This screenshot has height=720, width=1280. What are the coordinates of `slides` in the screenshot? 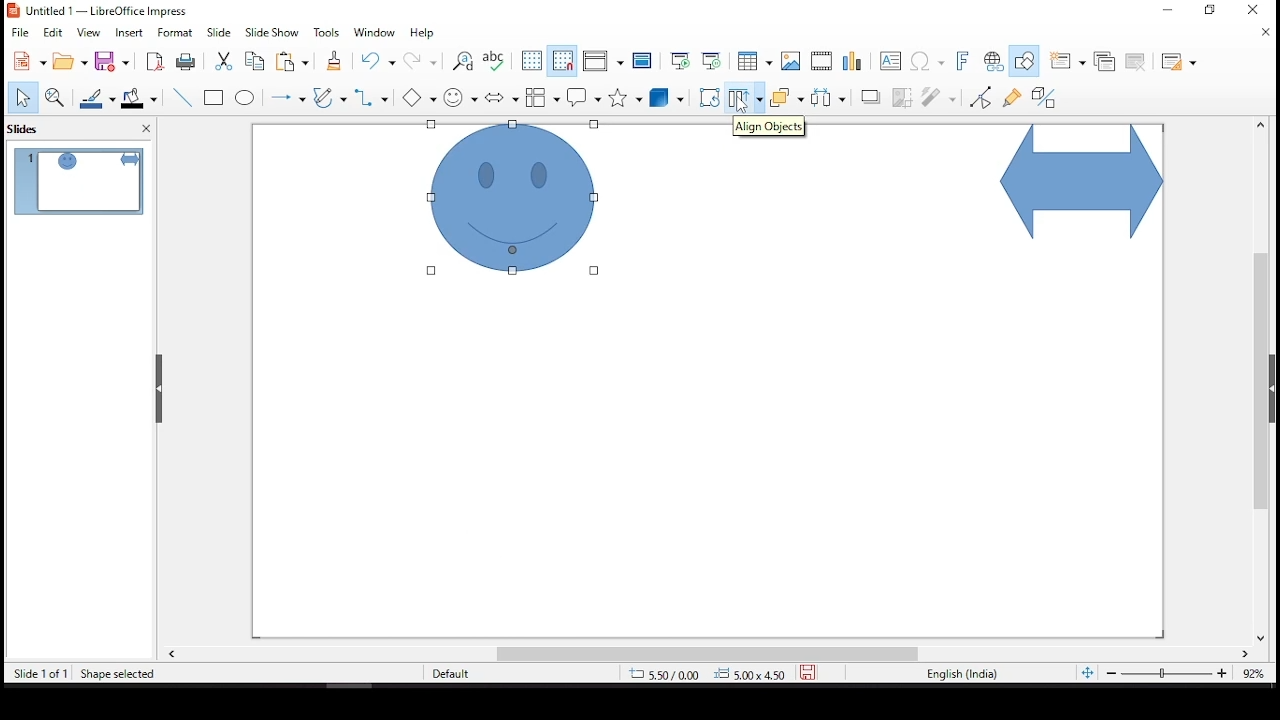 It's located at (29, 128).